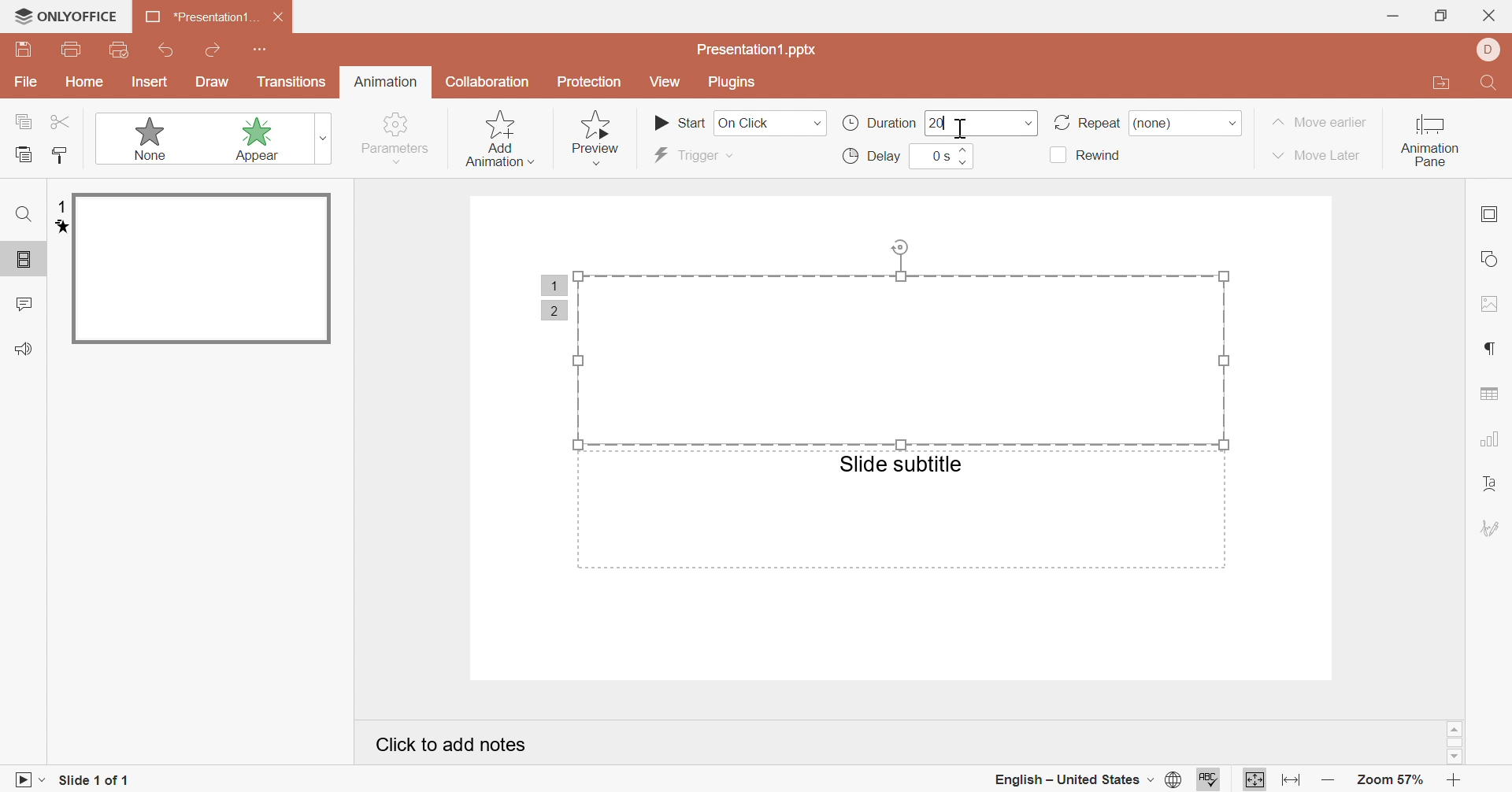 Image resolution: width=1512 pixels, height=792 pixels. I want to click on appear, so click(239, 139).